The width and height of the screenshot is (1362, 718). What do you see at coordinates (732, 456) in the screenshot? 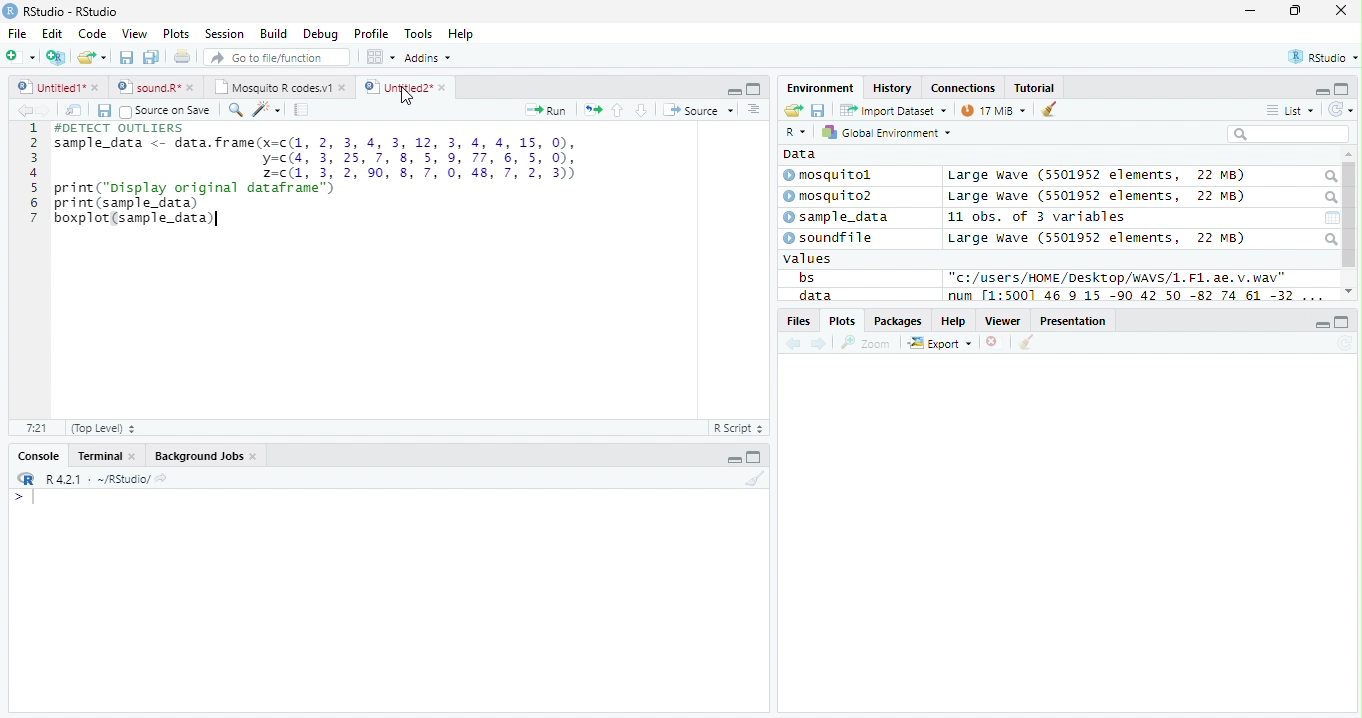
I see `minimize` at bounding box center [732, 456].